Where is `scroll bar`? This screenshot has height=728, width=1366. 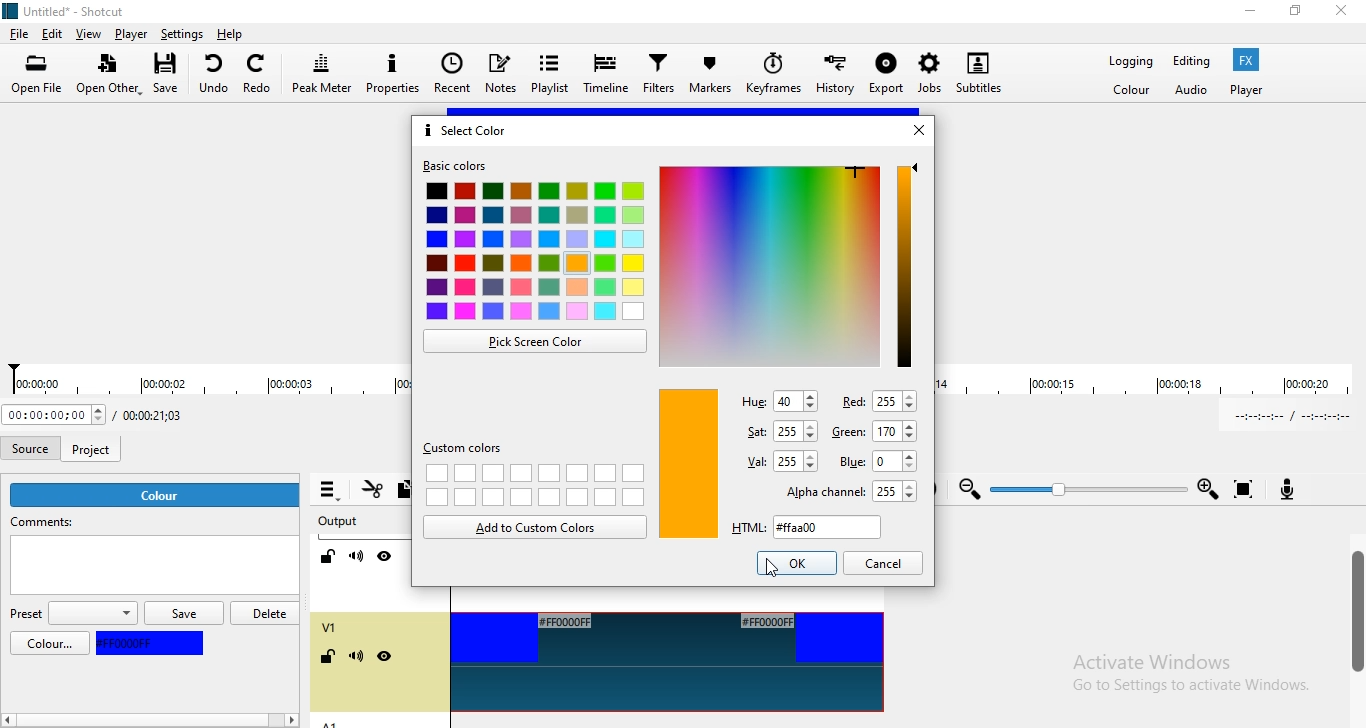
scroll bar is located at coordinates (1355, 615).